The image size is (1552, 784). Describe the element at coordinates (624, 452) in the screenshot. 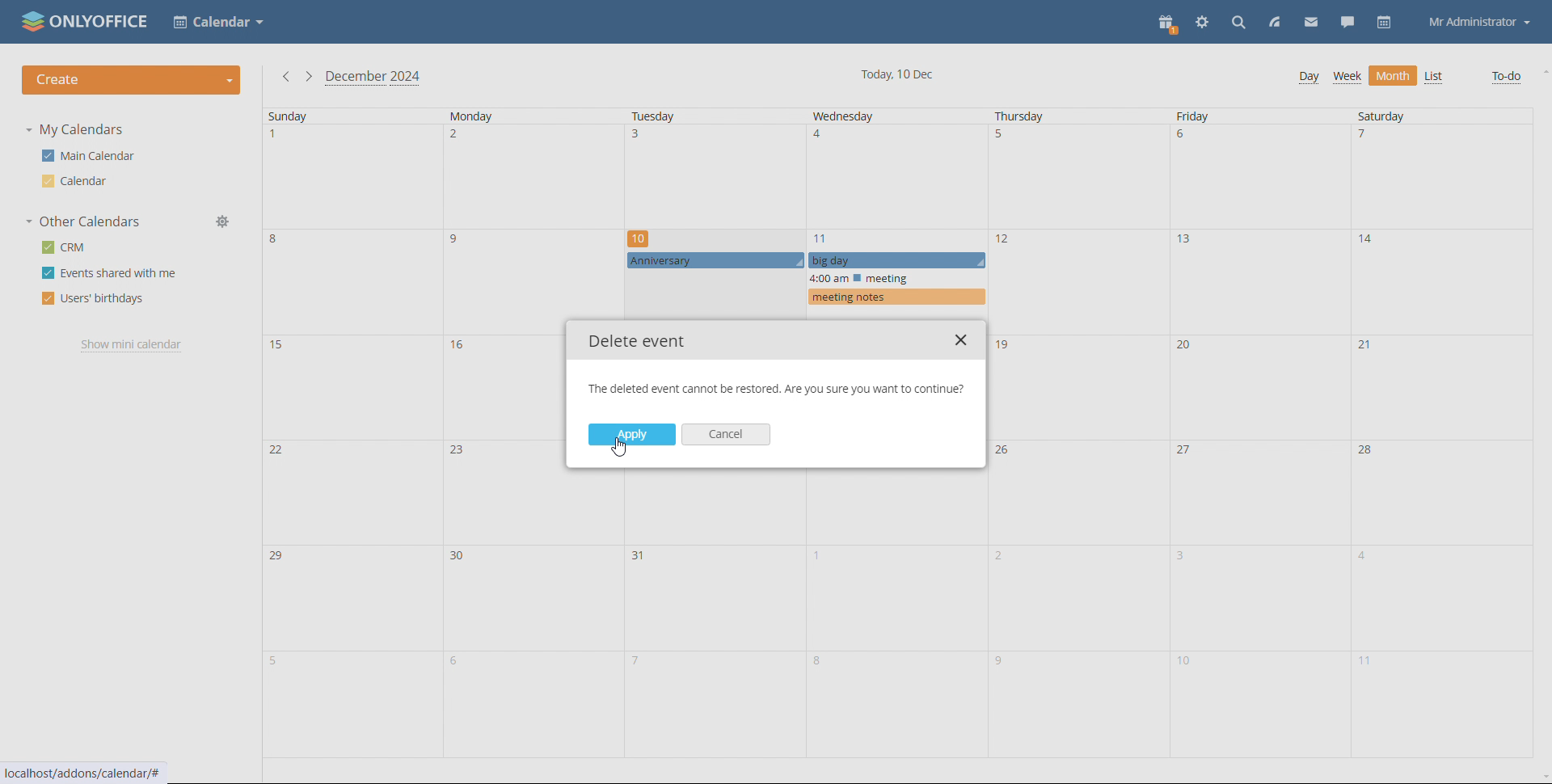

I see `mouse pointer` at that location.